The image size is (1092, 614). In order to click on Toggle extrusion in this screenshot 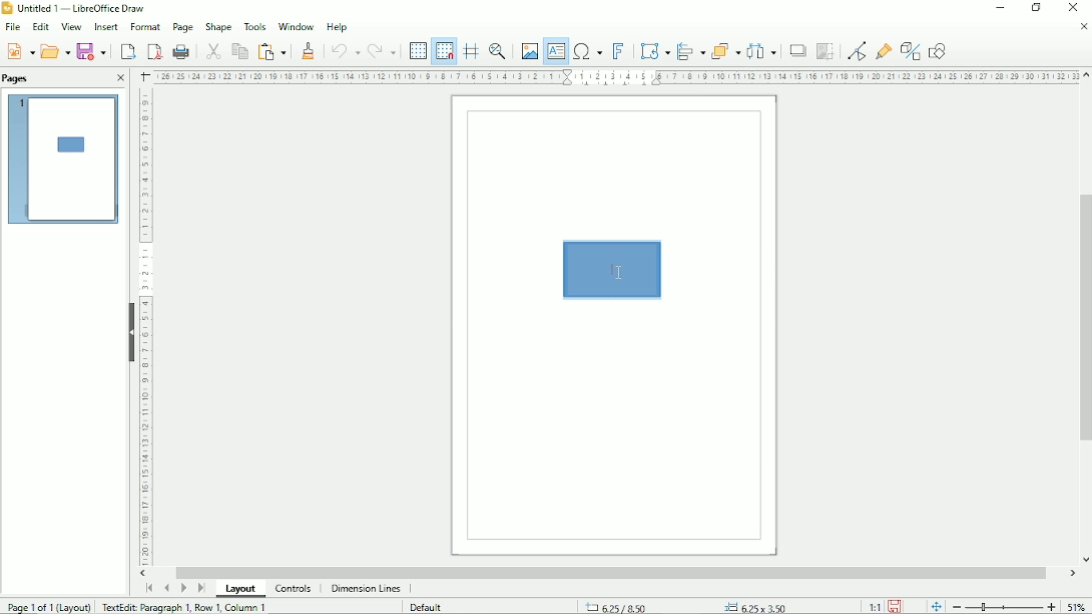, I will do `click(911, 50)`.